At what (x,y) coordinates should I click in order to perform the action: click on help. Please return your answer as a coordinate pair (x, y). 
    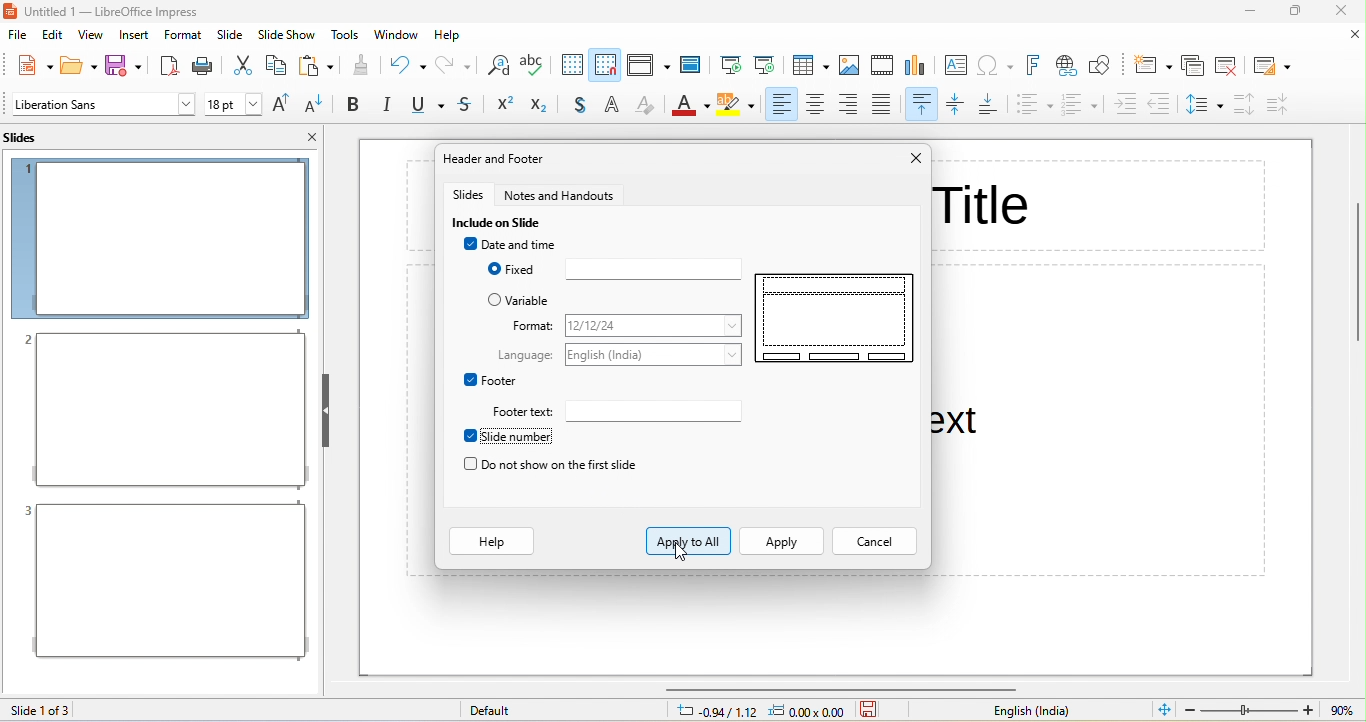
    Looking at the image, I should click on (493, 542).